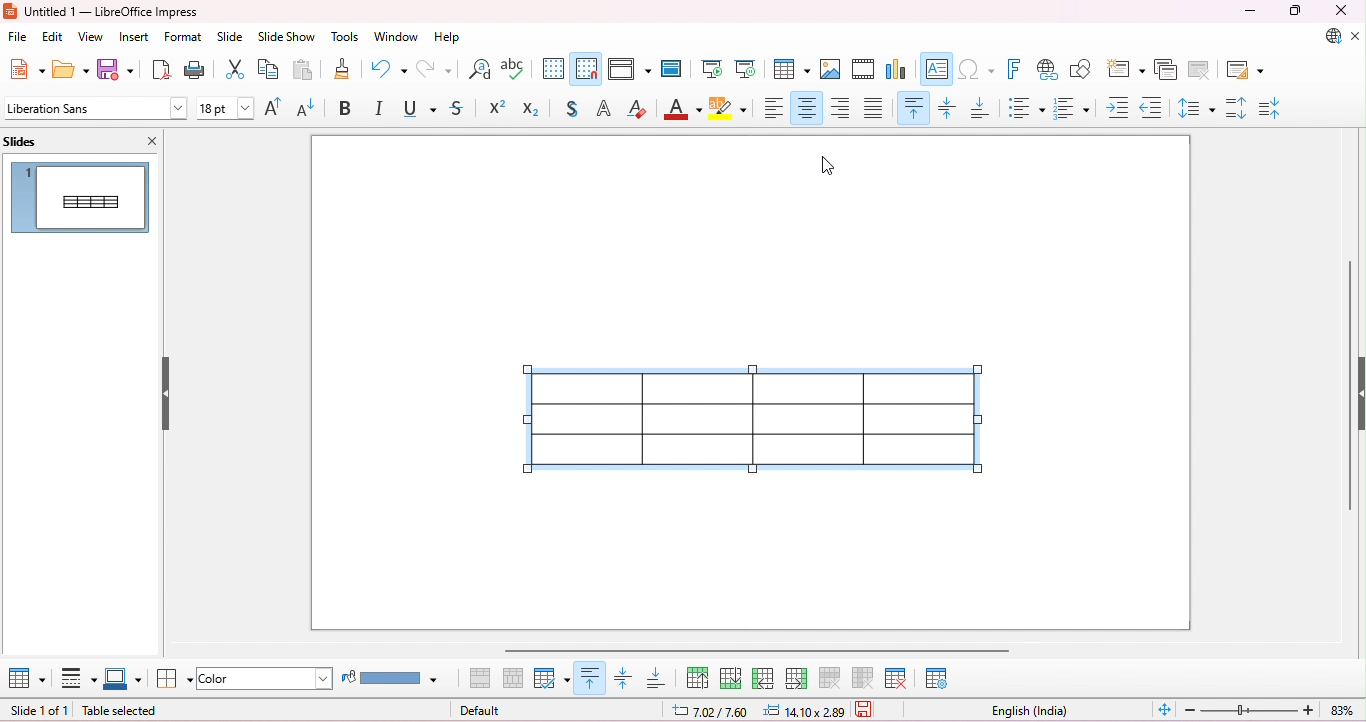 This screenshot has width=1366, height=722. I want to click on align bottom, so click(982, 107).